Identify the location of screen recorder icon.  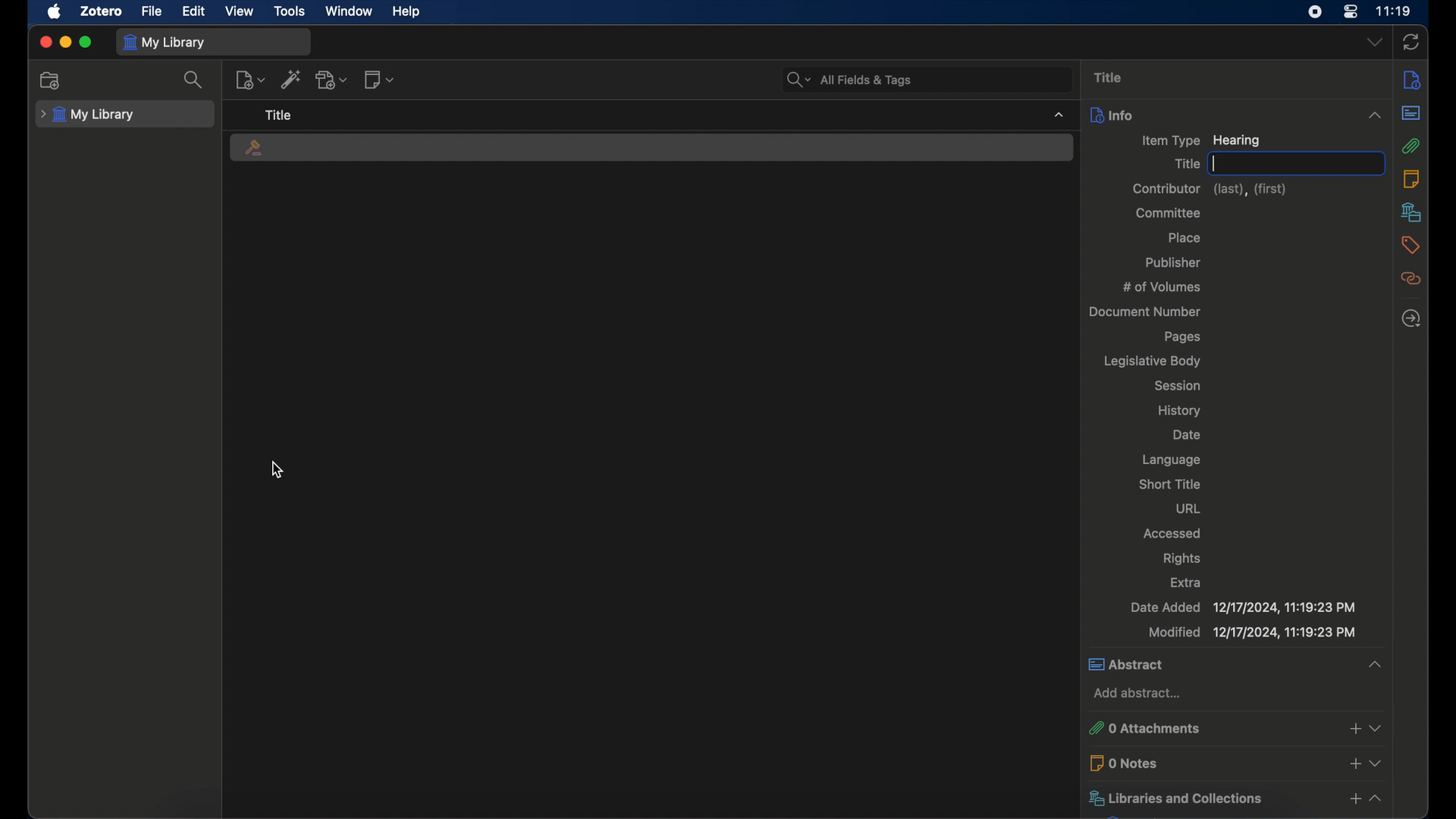
(1314, 11).